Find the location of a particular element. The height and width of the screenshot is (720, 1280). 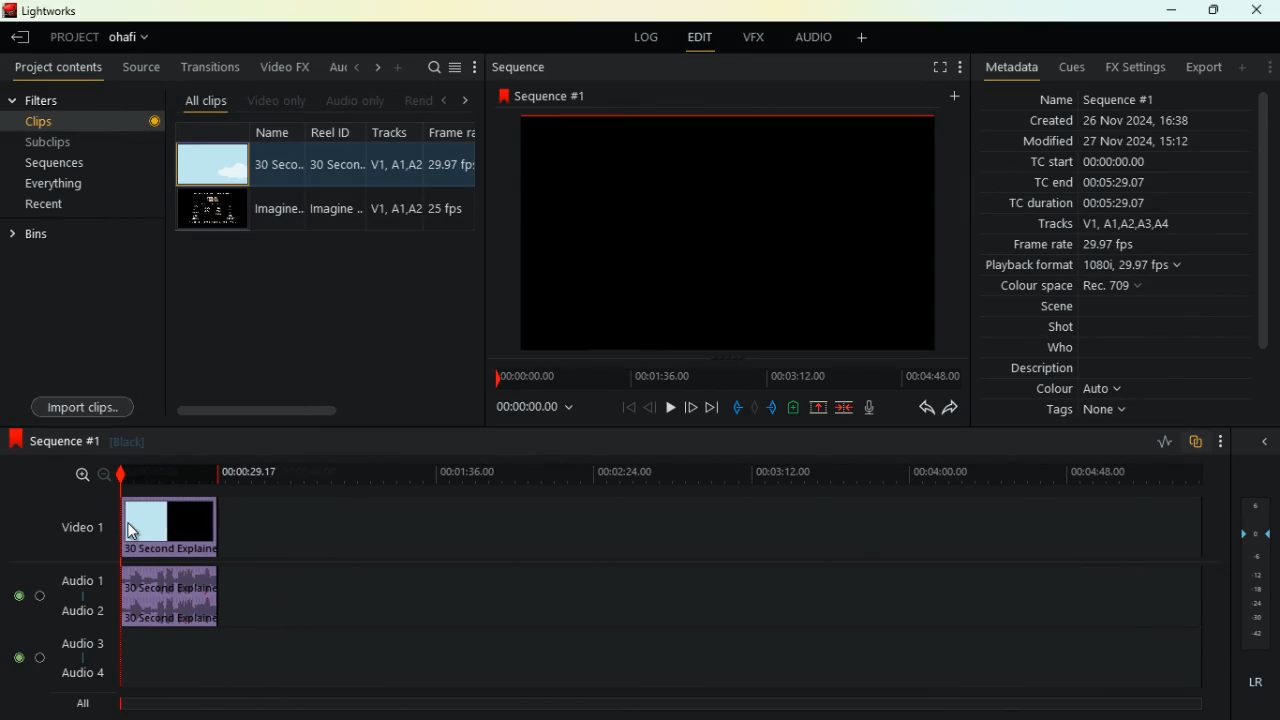

metadata is located at coordinates (1012, 67).